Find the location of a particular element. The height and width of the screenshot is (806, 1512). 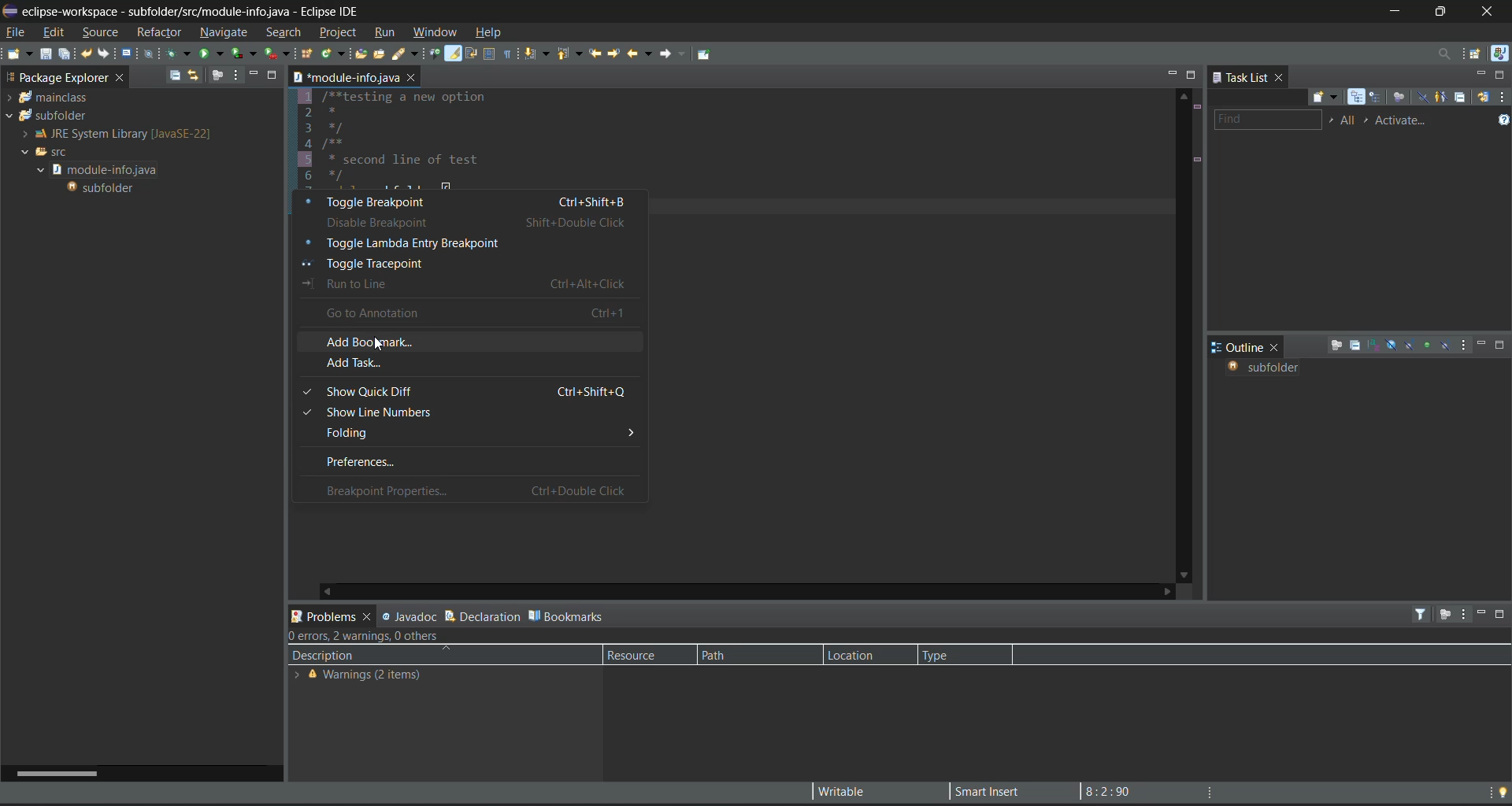

show line numbers is located at coordinates (467, 415).